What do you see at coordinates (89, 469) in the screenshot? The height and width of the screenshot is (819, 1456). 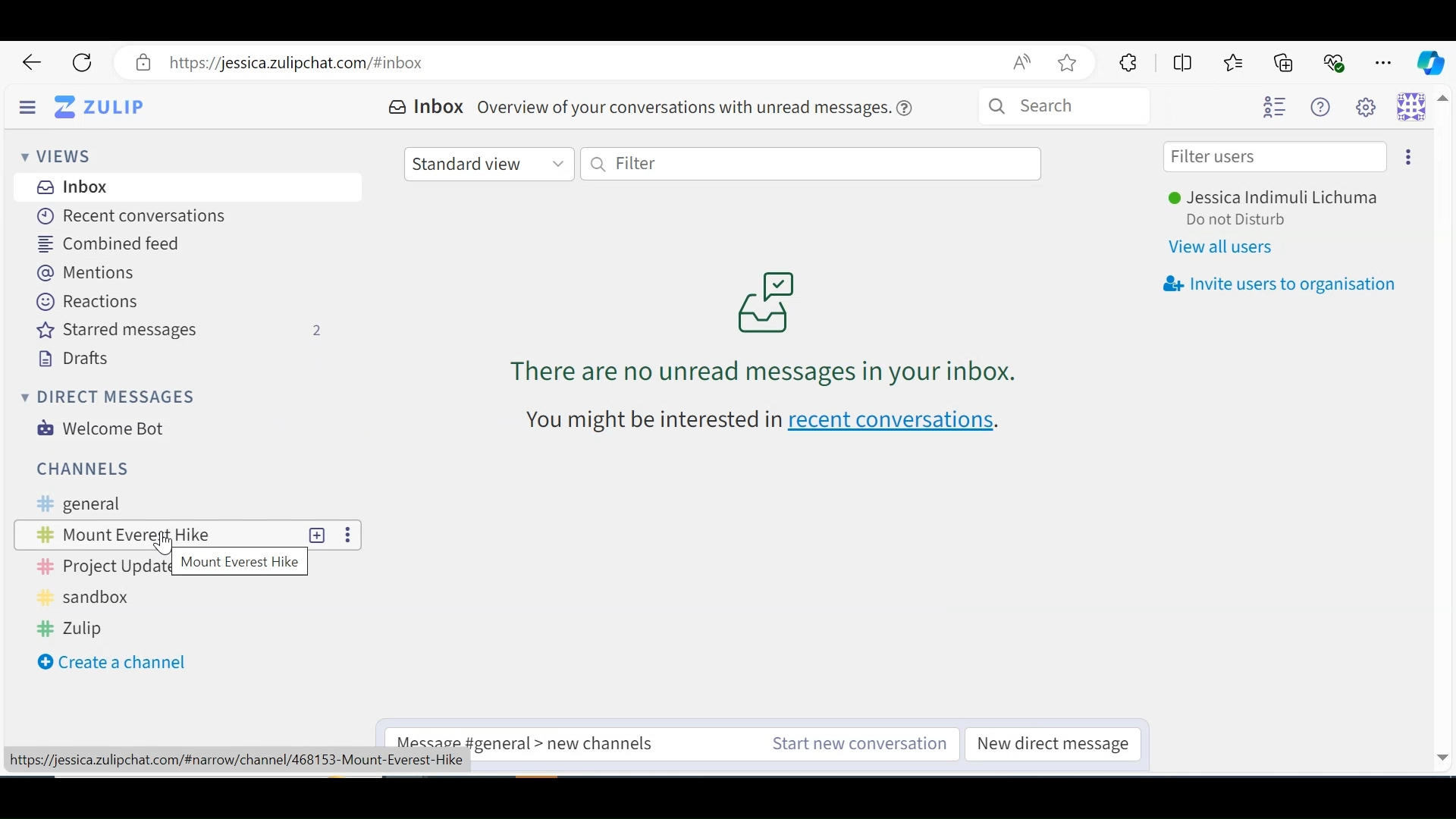 I see `Channels` at bounding box center [89, 469].